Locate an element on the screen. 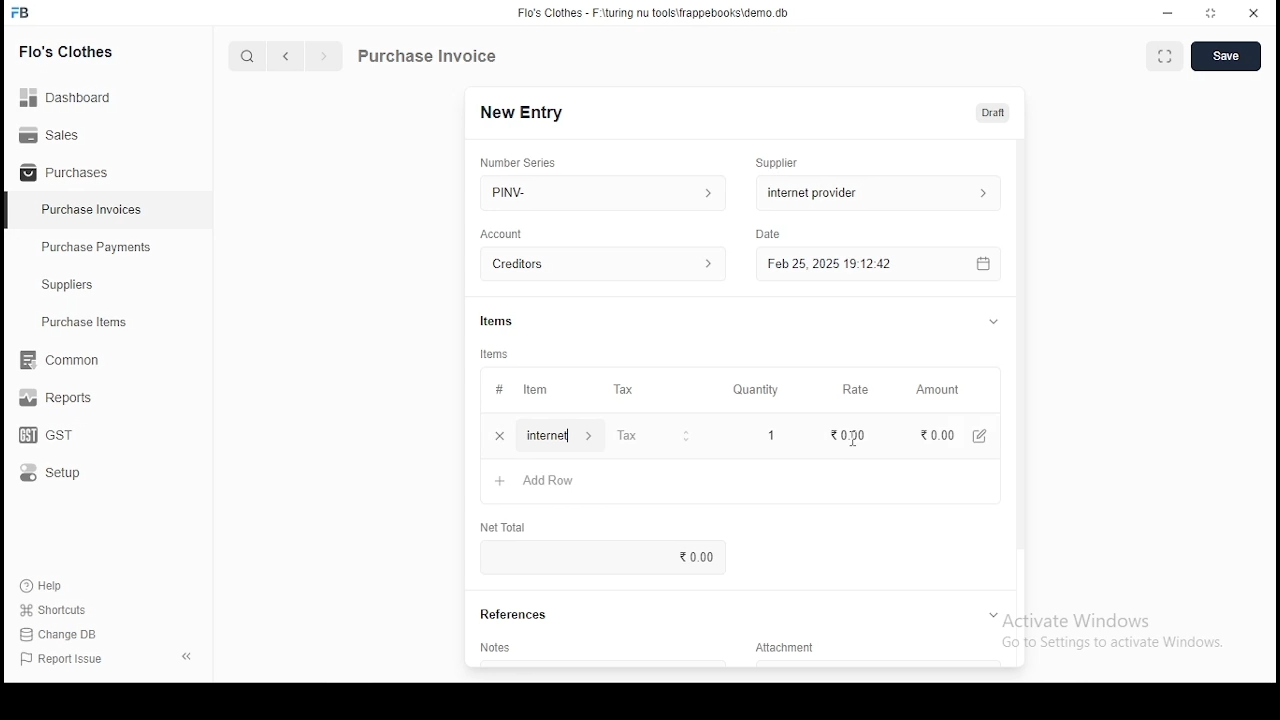  icon is located at coordinates (21, 13).